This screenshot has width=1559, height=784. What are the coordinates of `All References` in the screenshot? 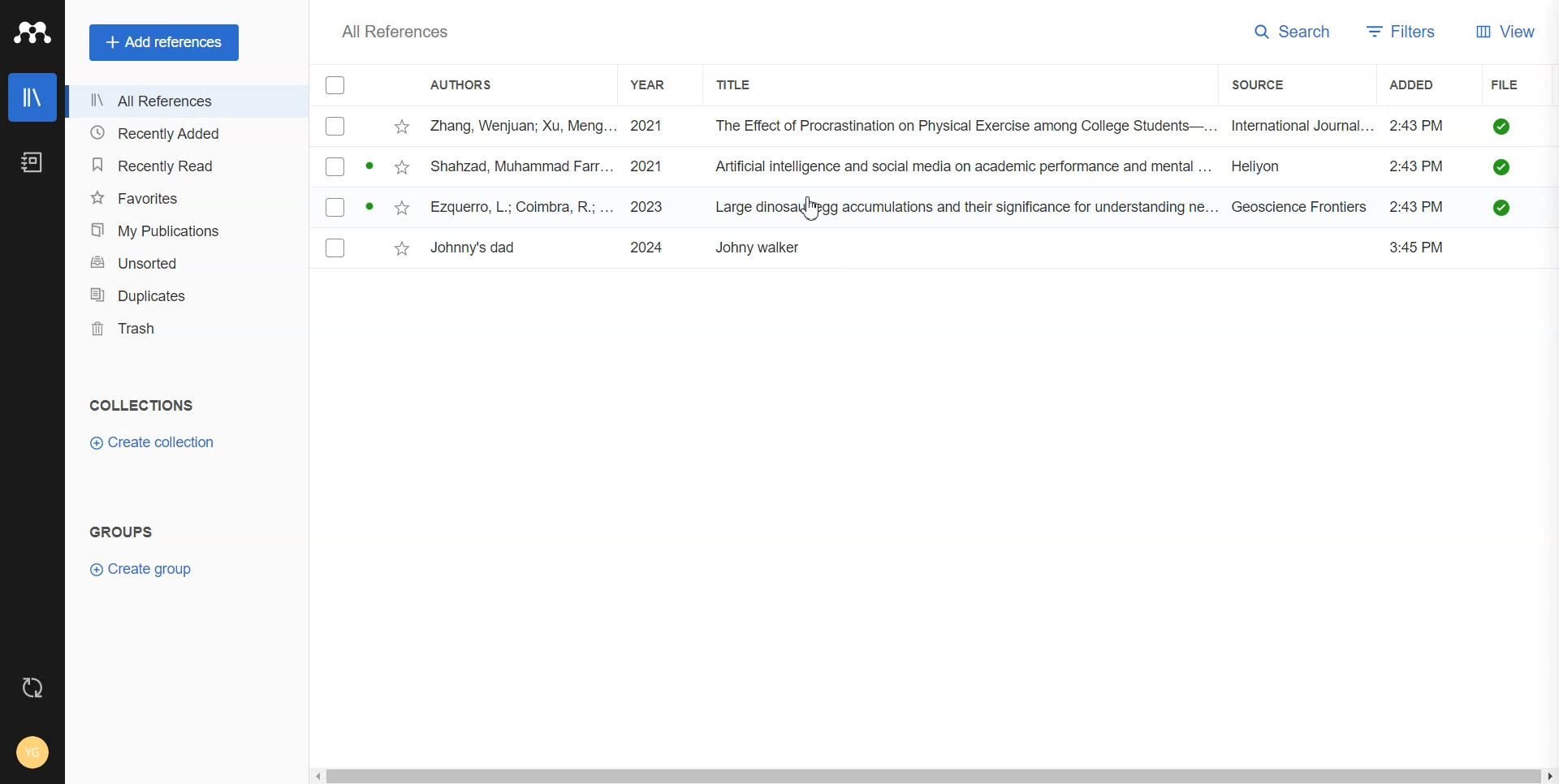 It's located at (179, 101).